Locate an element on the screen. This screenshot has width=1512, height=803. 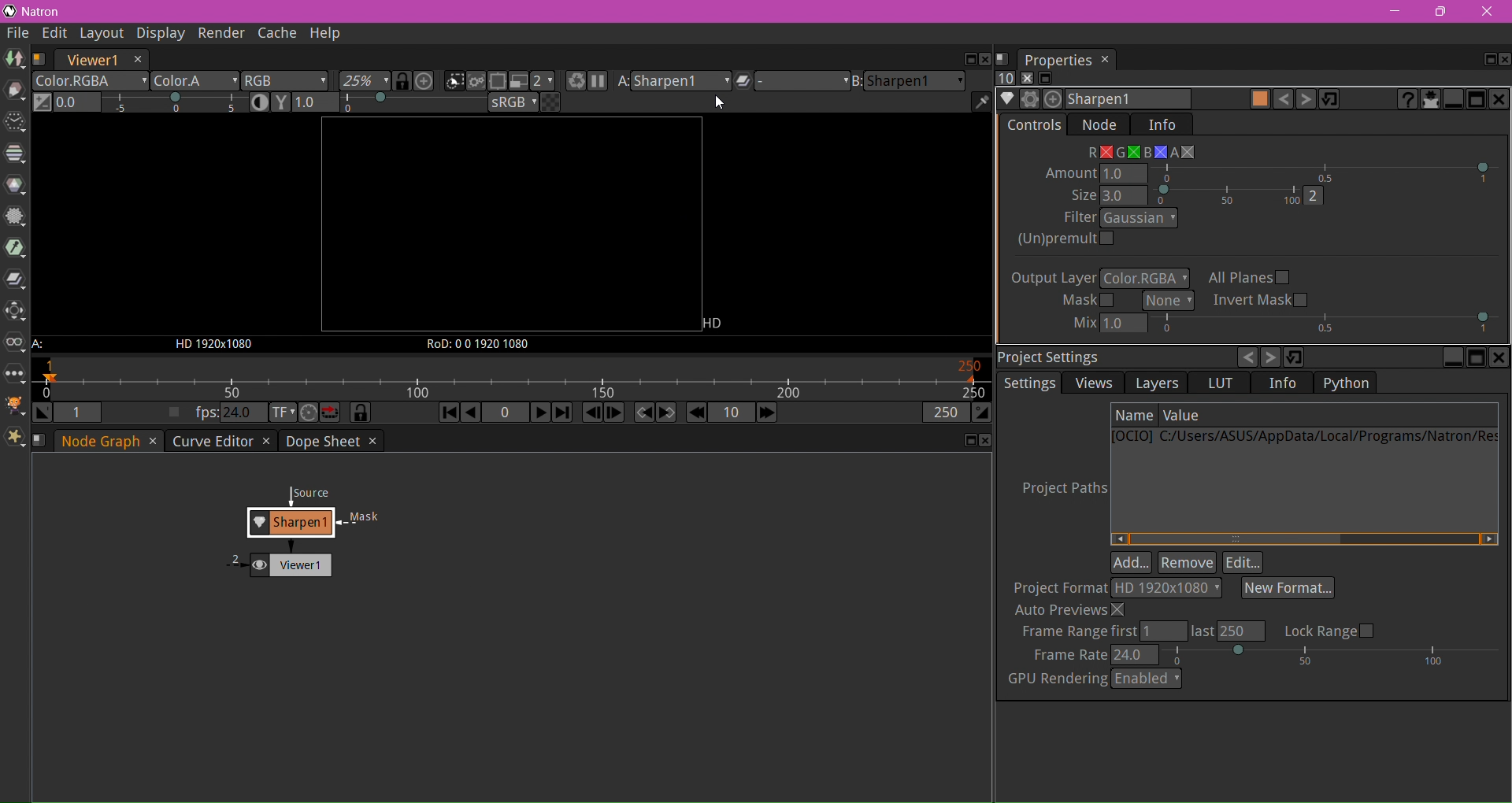
Maximize is located at coordinates (1476, 358).